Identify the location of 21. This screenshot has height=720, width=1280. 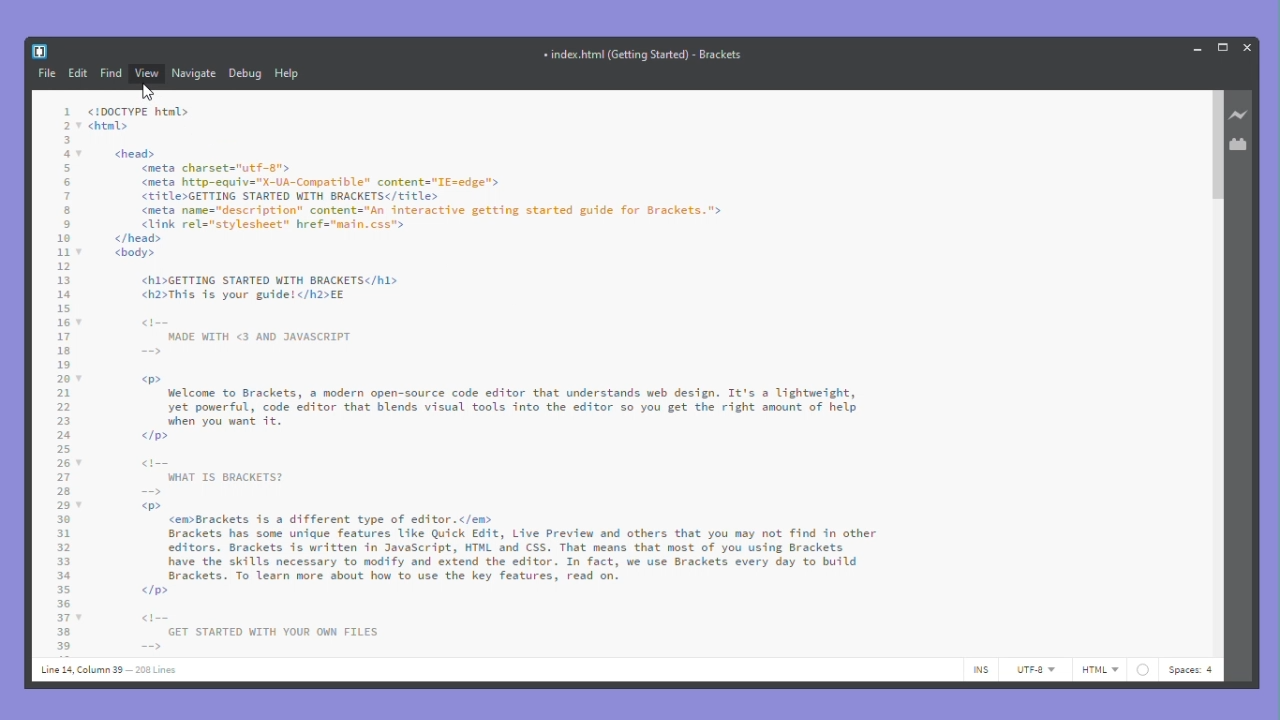
(63, 393).